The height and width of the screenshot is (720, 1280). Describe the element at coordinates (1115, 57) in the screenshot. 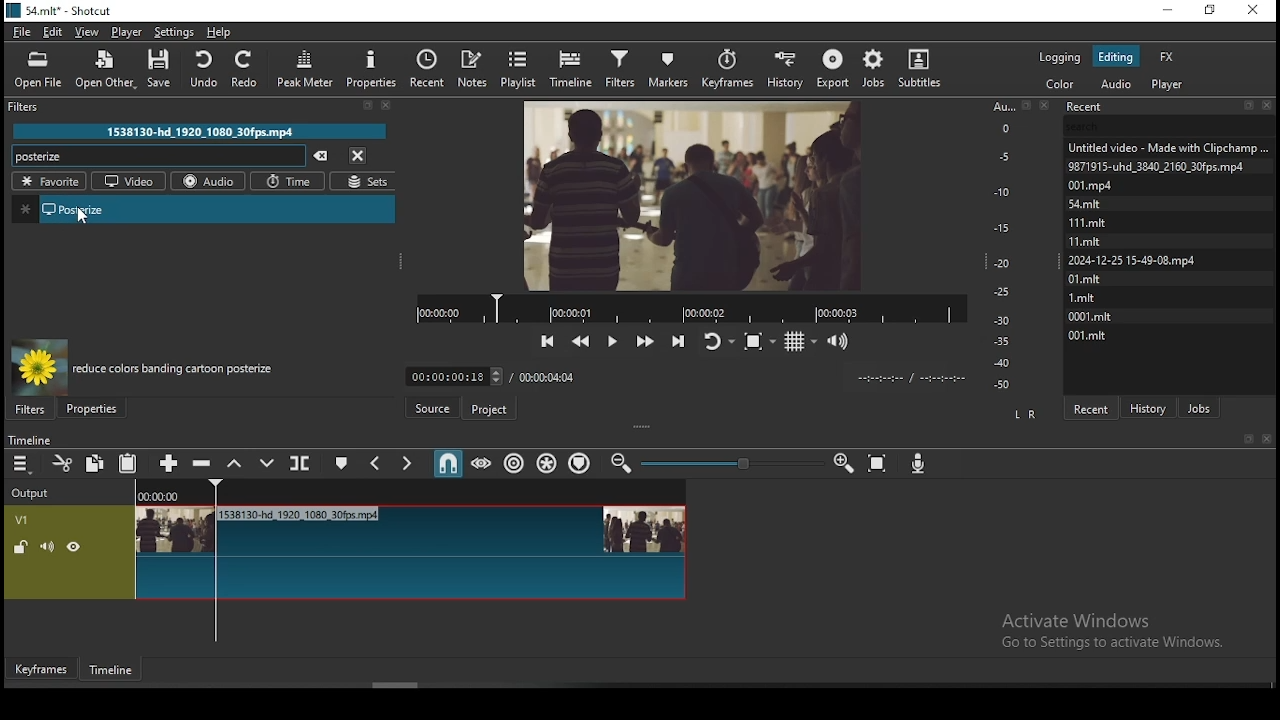

I see `editing` at that location.